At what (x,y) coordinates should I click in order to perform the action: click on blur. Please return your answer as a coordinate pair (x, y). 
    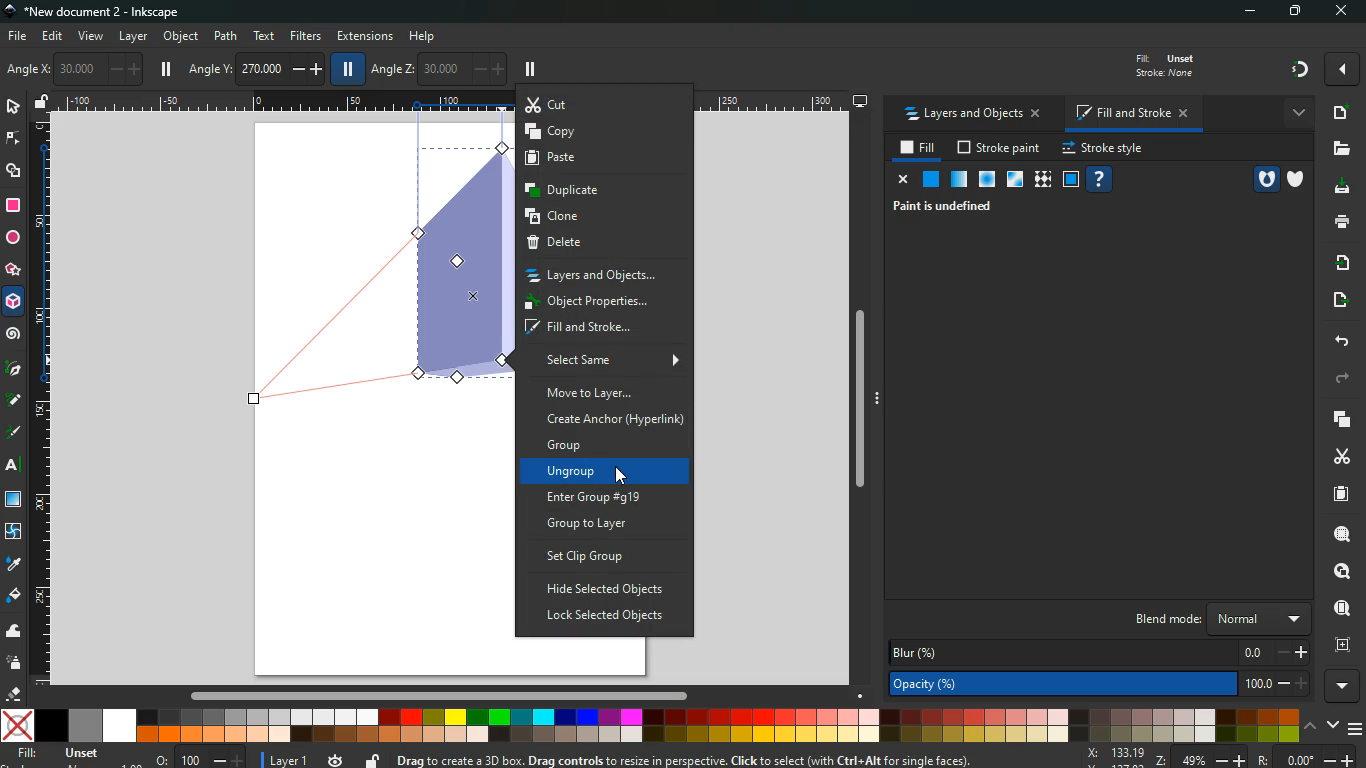
    Looking at the image, I should click on (1101, 651).